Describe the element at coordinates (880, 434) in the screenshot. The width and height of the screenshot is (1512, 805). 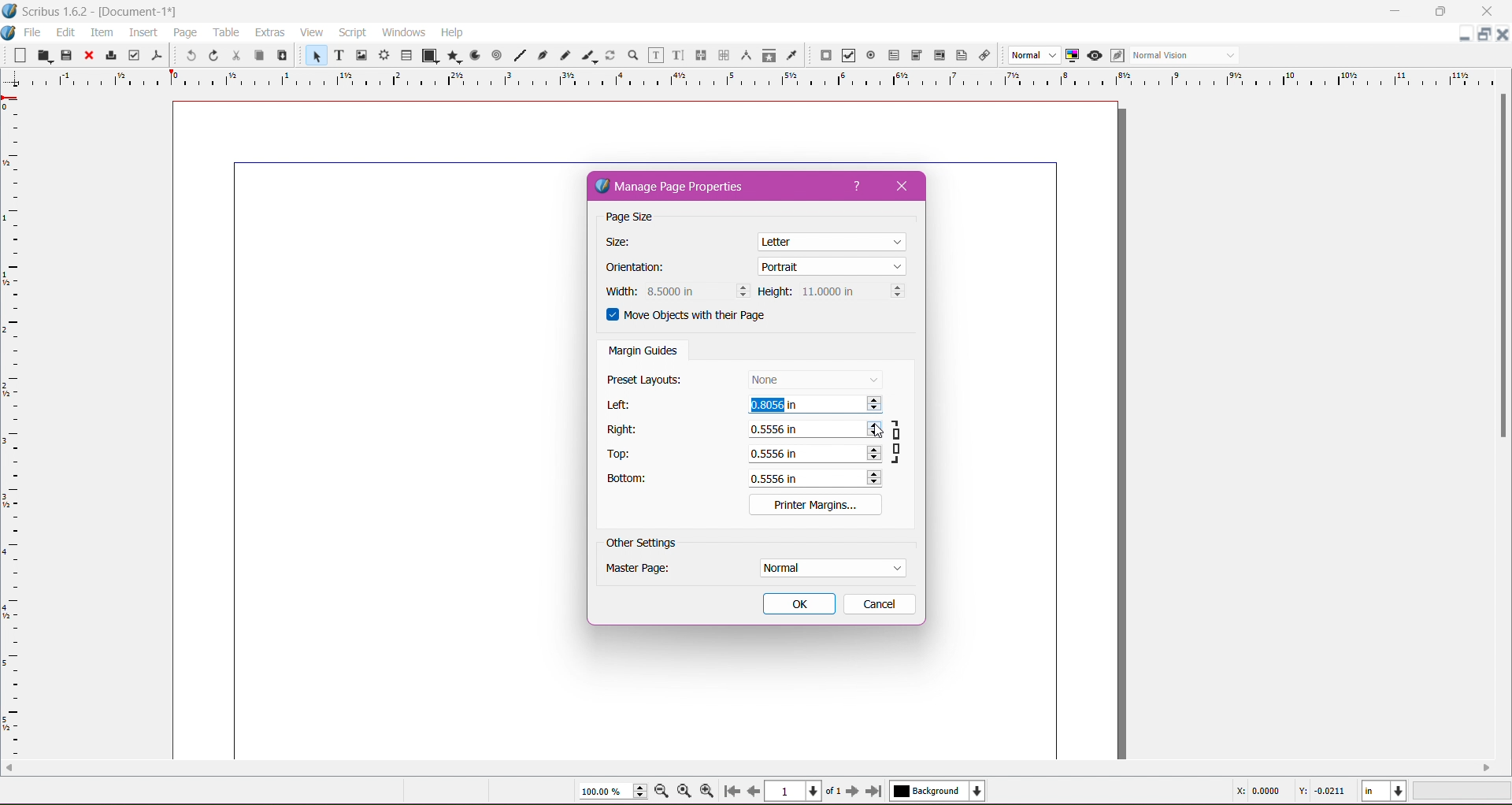
I see `Cursor` at that location.